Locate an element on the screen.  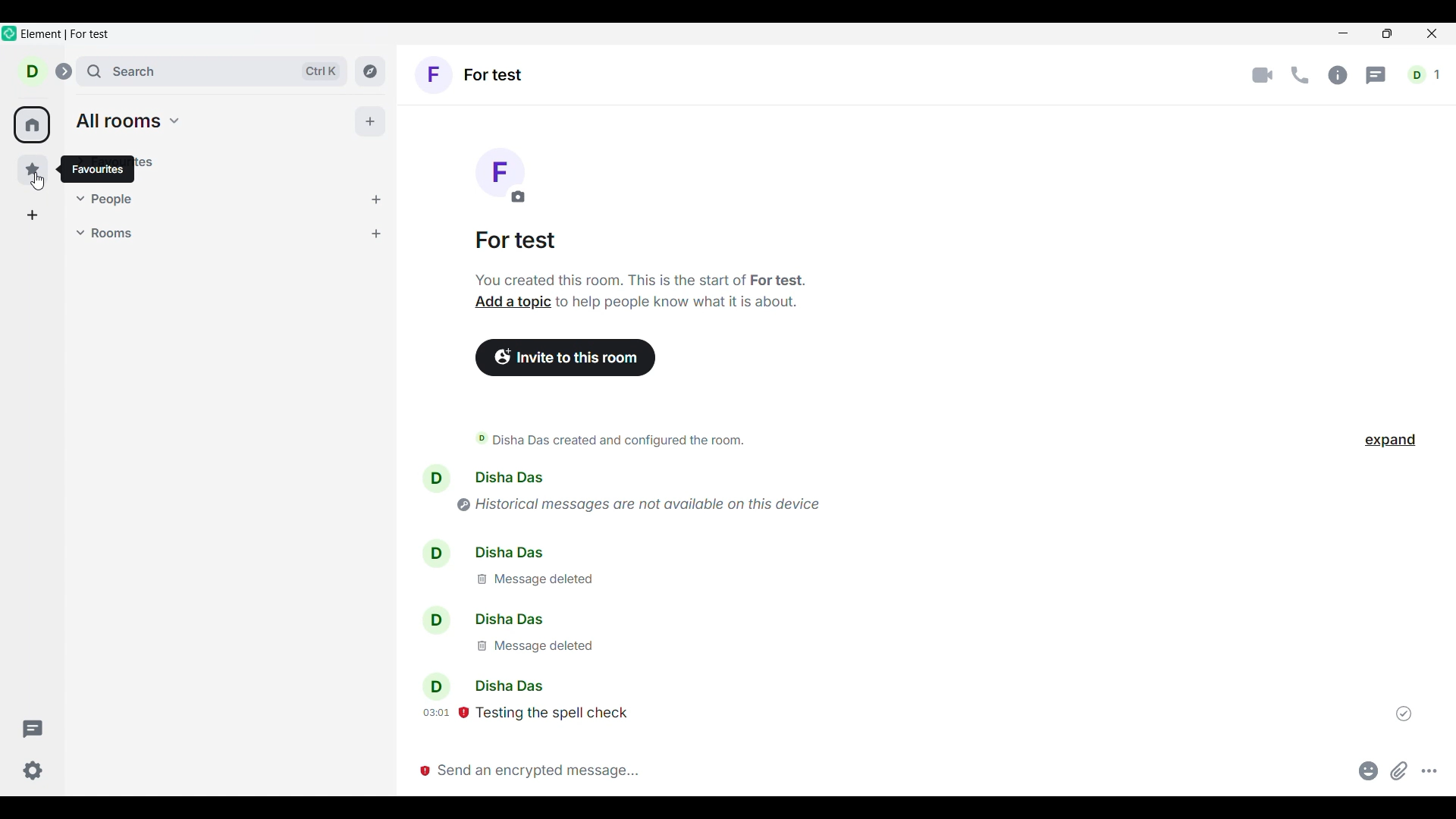
home is located at coordinates (33, 125).